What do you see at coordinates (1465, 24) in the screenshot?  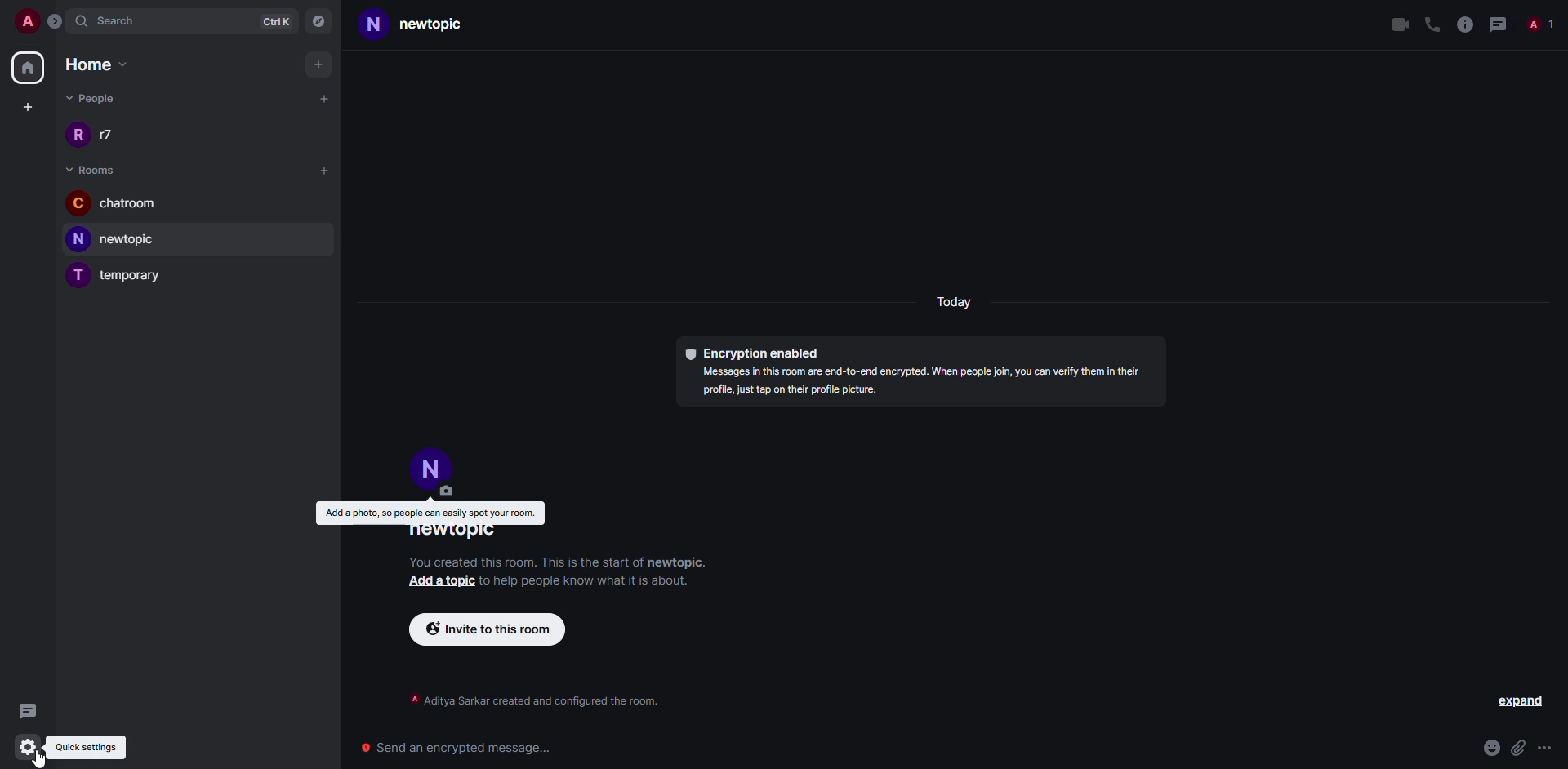 I see `info` at bounding box center [1465, 24].